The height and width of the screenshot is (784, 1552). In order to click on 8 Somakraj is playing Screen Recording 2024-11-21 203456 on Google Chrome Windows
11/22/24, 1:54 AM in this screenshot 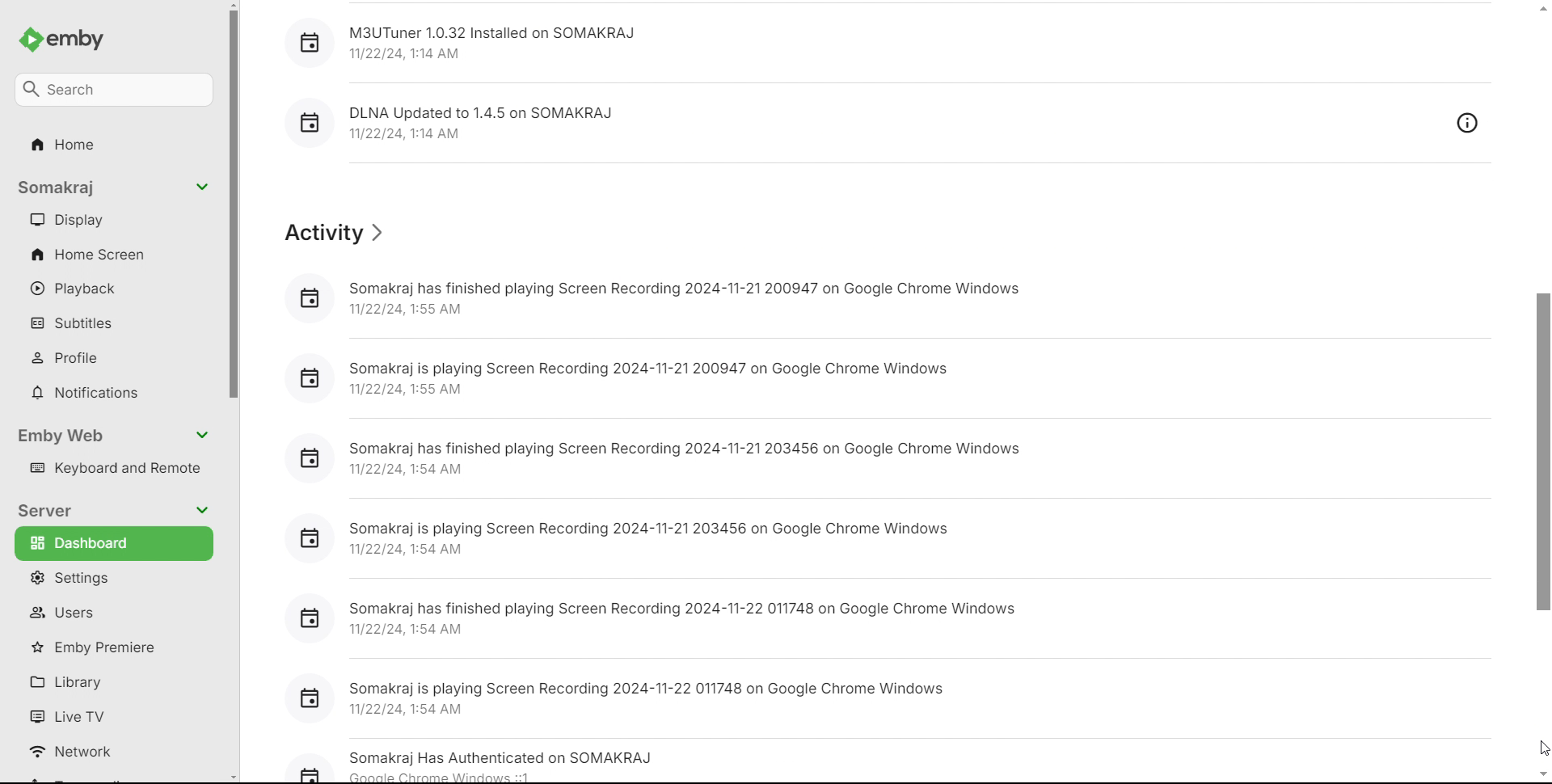, I will do `click(647, 539)`.